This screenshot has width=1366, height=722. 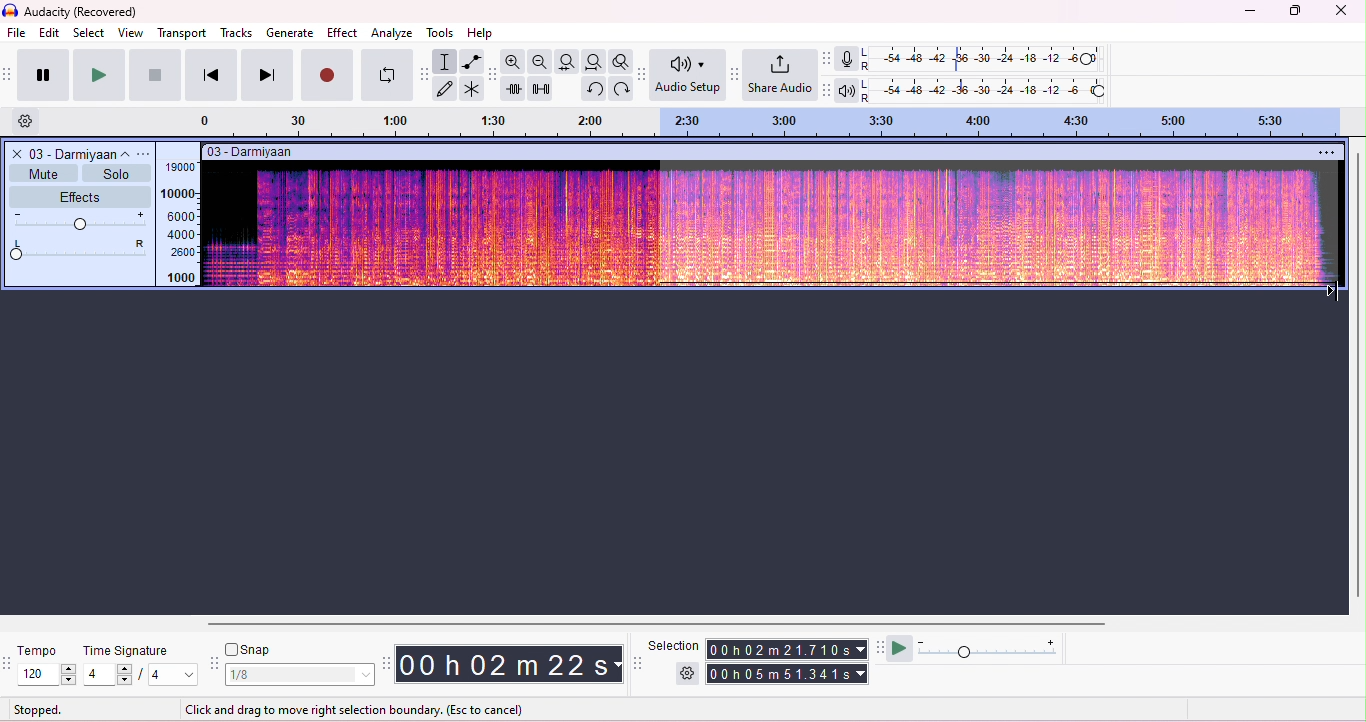 I want to click on frequency, so click(x=179, y=222).